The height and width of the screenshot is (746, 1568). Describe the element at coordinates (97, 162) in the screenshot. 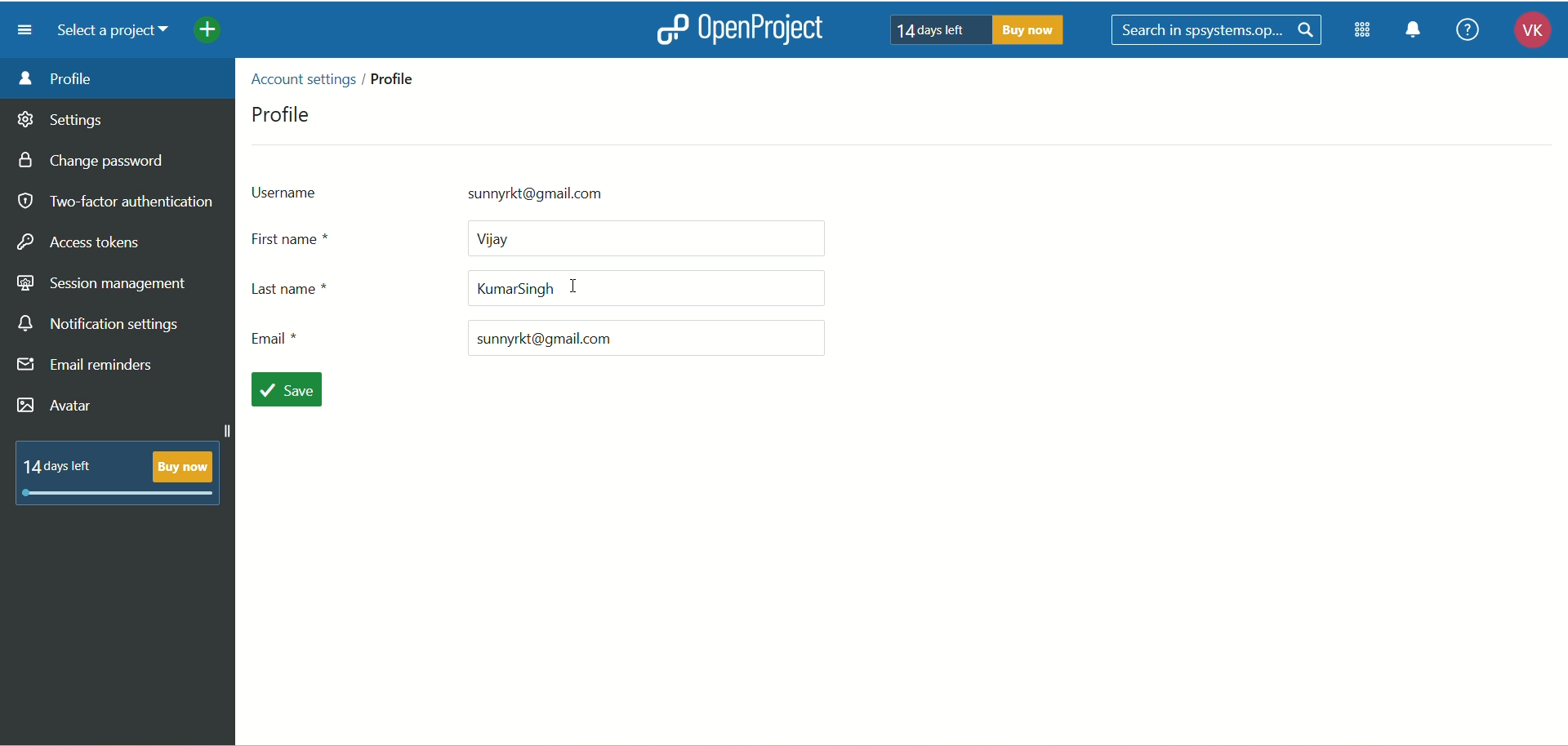

I see `change password` at that location.